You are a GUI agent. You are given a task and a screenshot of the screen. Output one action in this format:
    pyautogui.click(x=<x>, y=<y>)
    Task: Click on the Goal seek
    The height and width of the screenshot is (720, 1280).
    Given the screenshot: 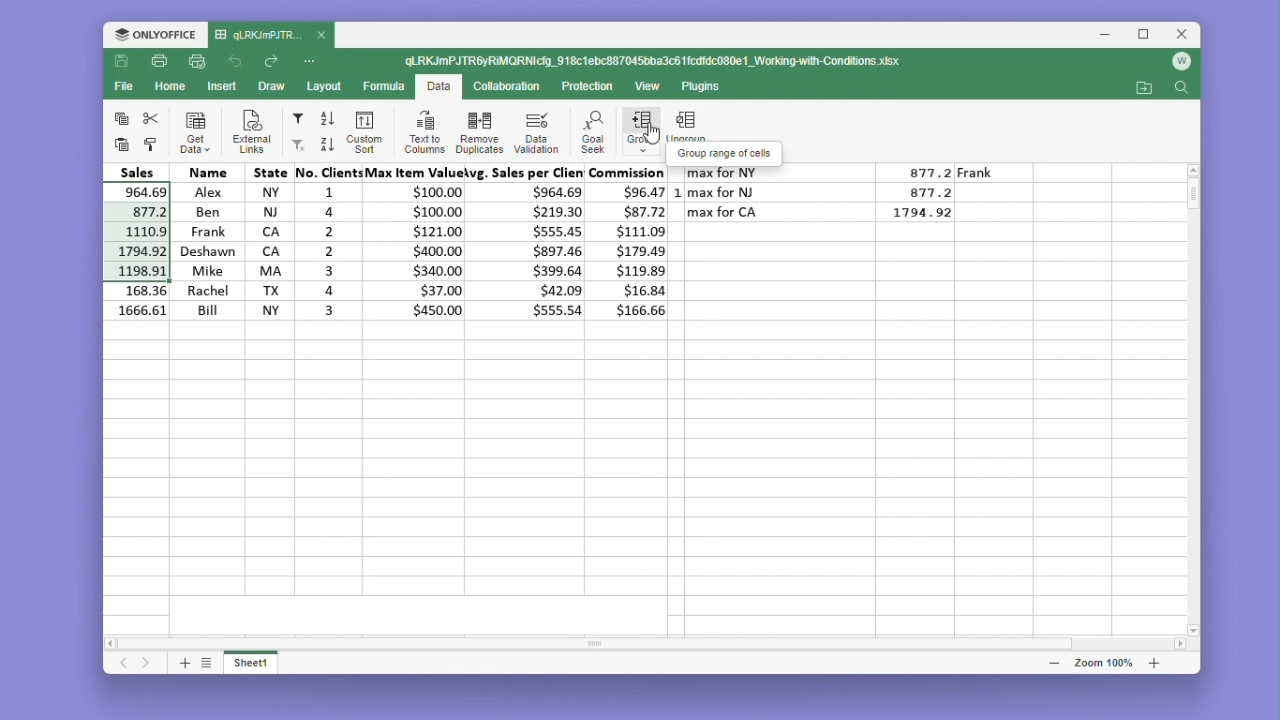 What is the action you would take?
    pyautogui.click(x=591, y=132)
    